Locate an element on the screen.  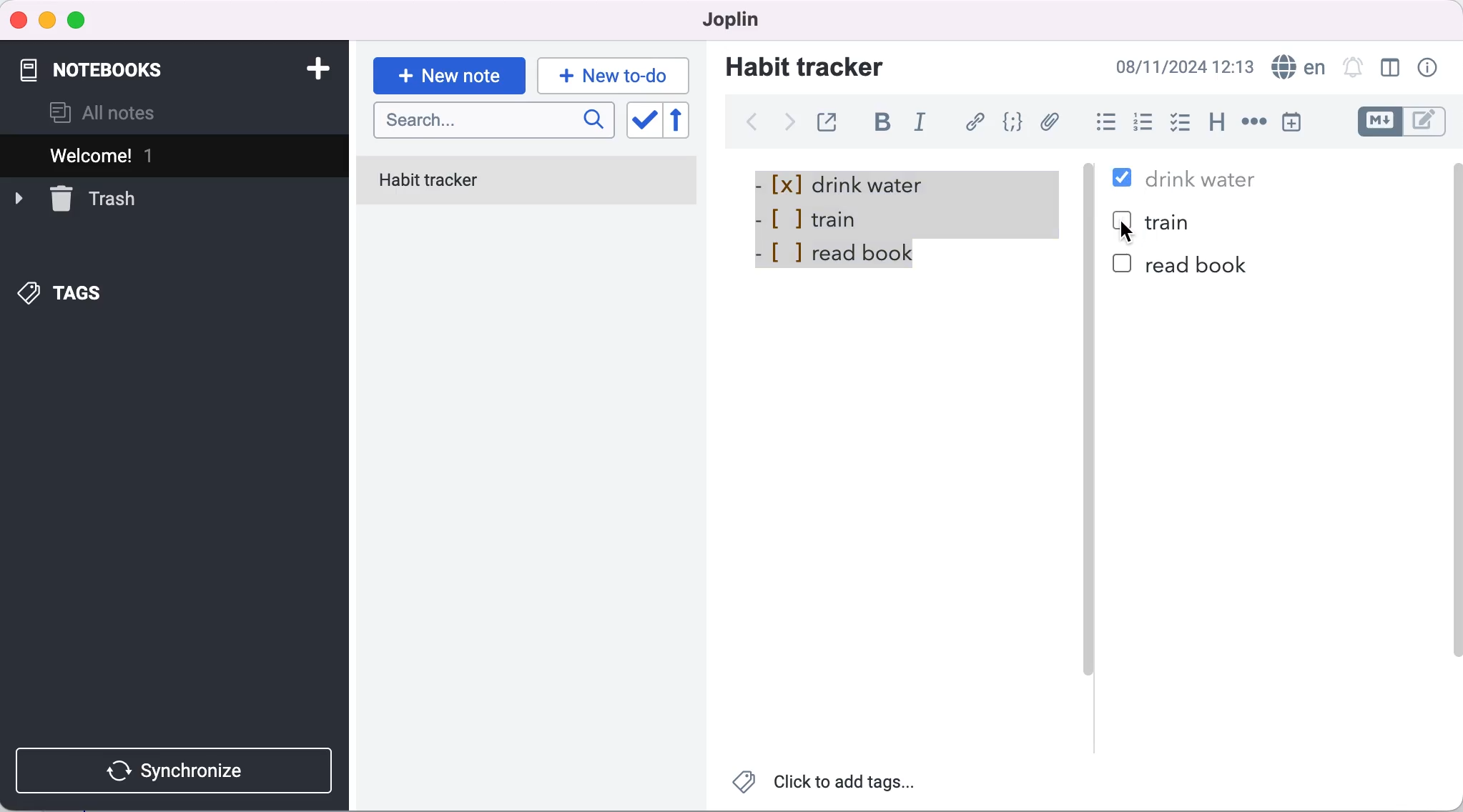
typing is located at coordinates (614, 75).